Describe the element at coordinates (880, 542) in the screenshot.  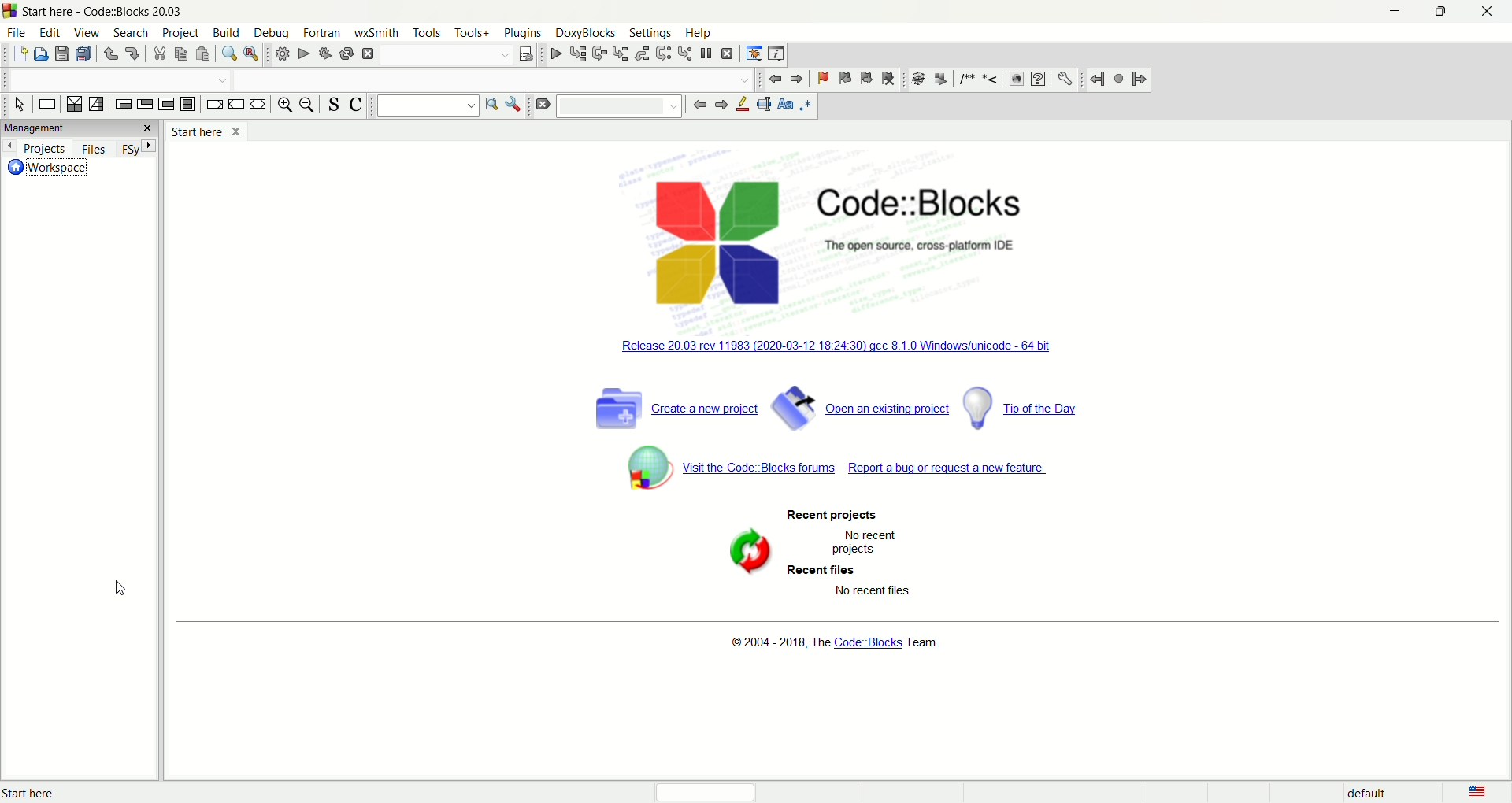
I see `text` at that location.